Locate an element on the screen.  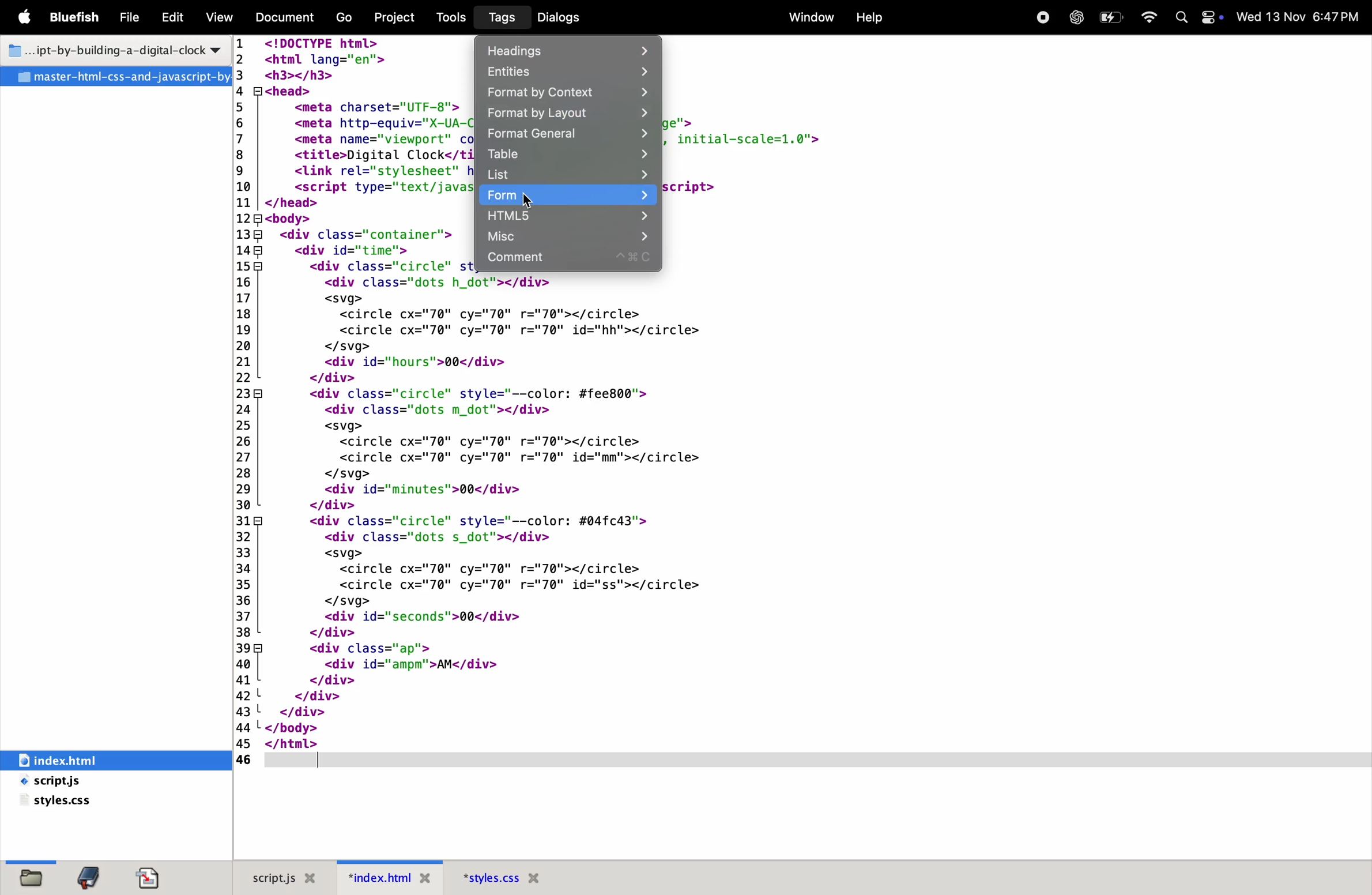
file browser is located at coordinates (31, 874).